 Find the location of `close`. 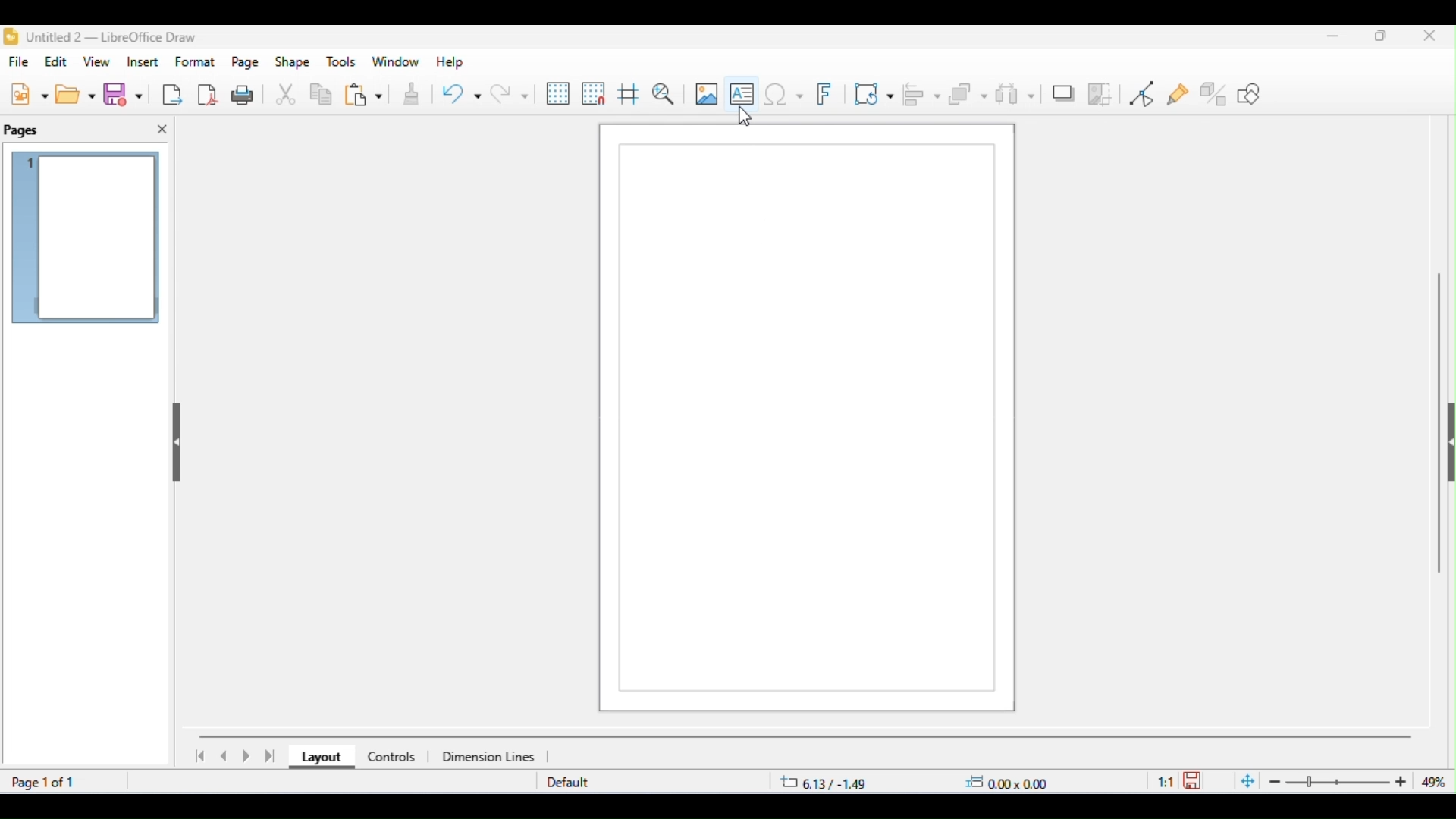

close is located at coordinates (162, 130).